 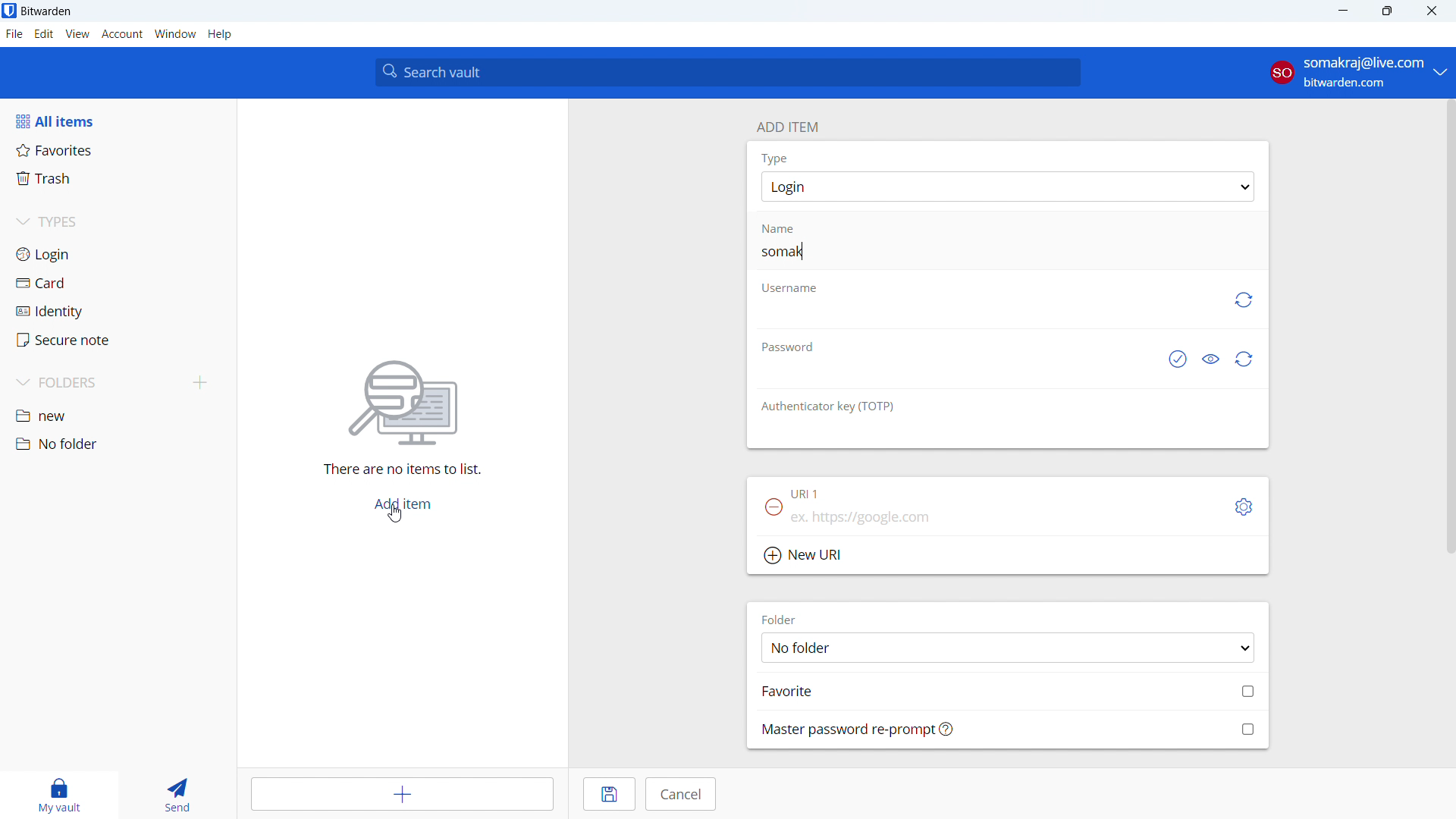 What do you see at coordinates (397, 514) in the screenshot?
I see `cursor` at bounding box center [397, 514].